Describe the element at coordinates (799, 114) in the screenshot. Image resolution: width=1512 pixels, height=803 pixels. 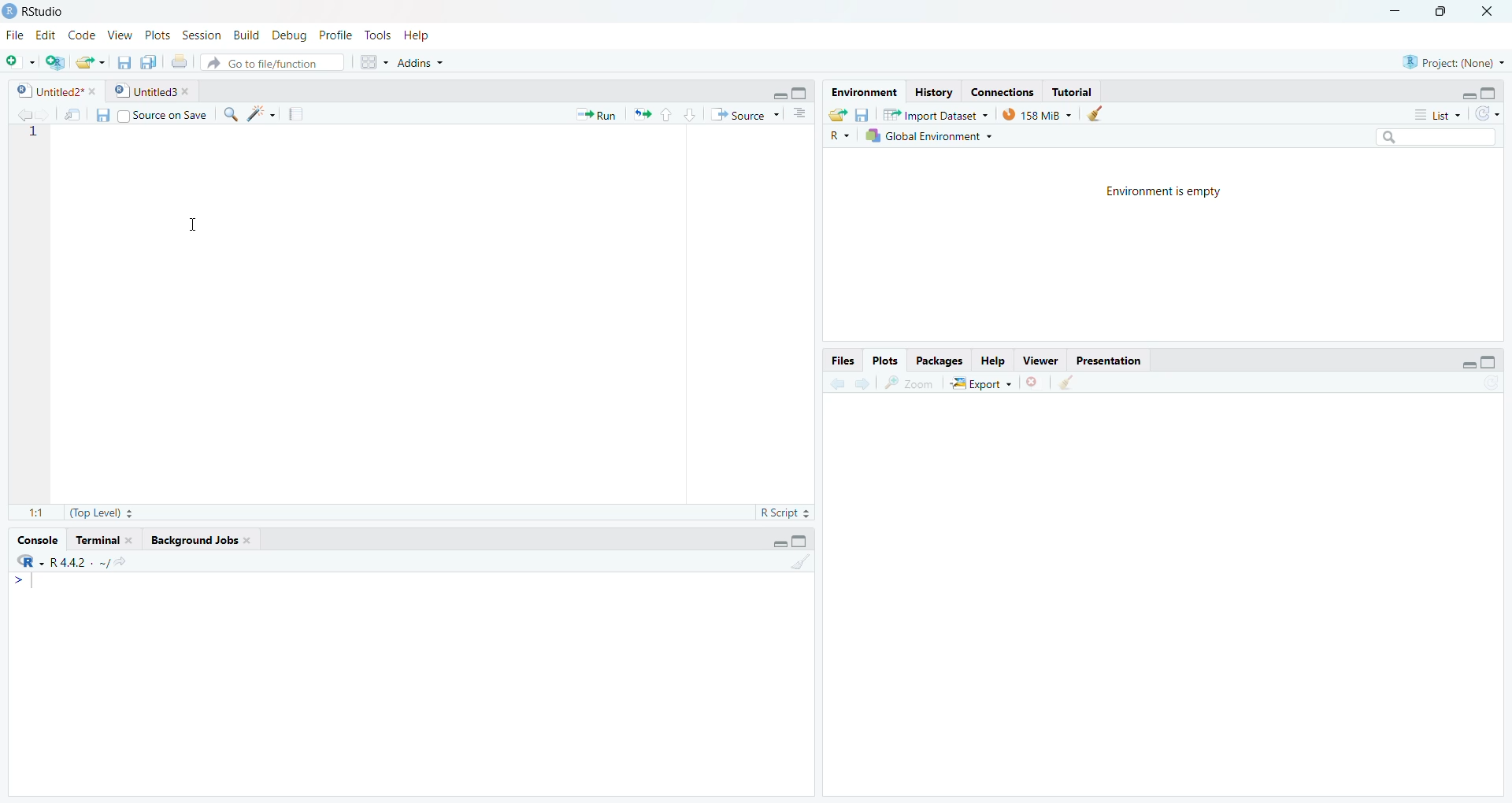
I see `` at that location.